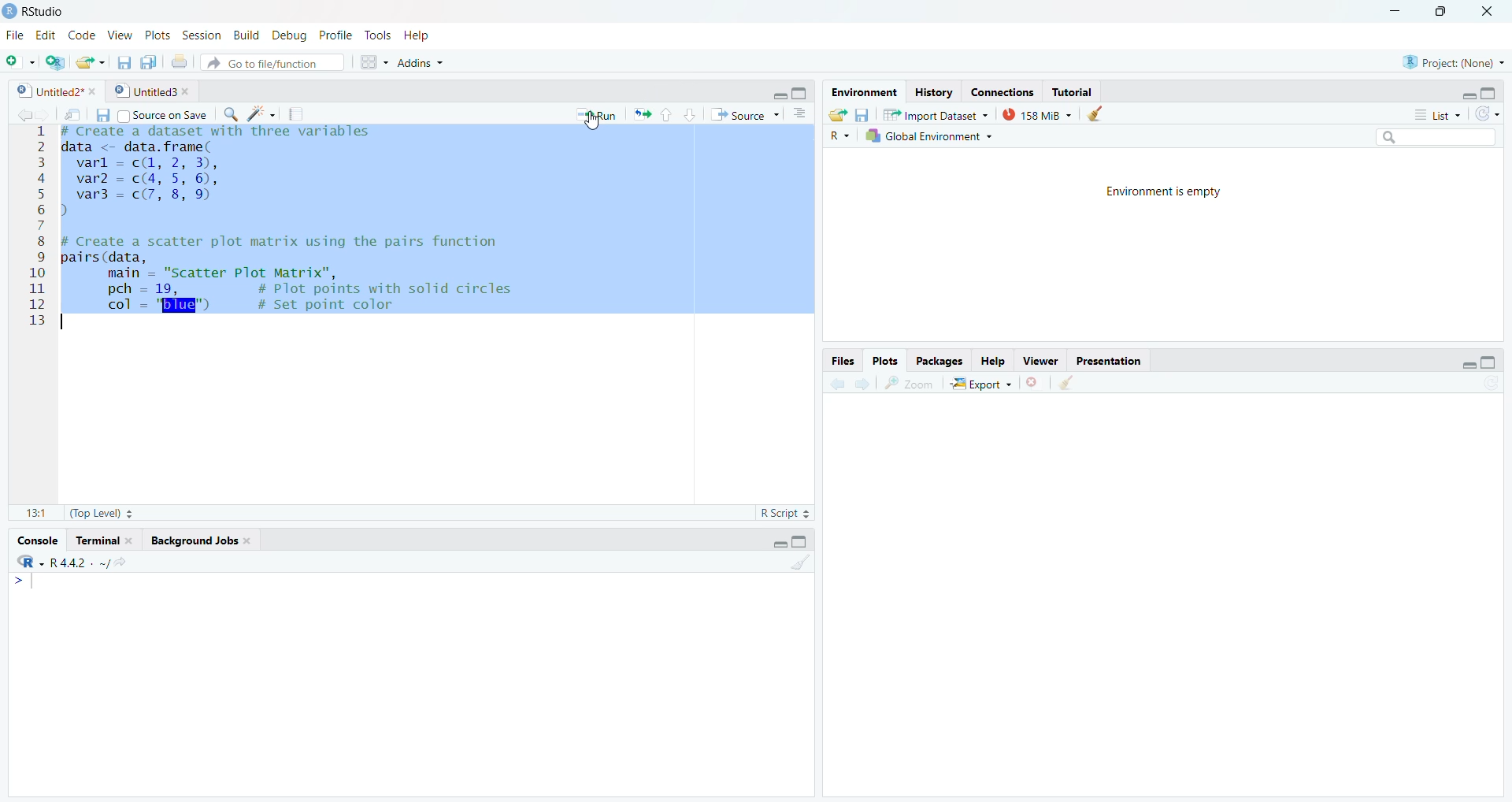  What do you see at coordinates (1441, 135) in the screenshot?
I see `Search` at bounding box center [1441, 135].